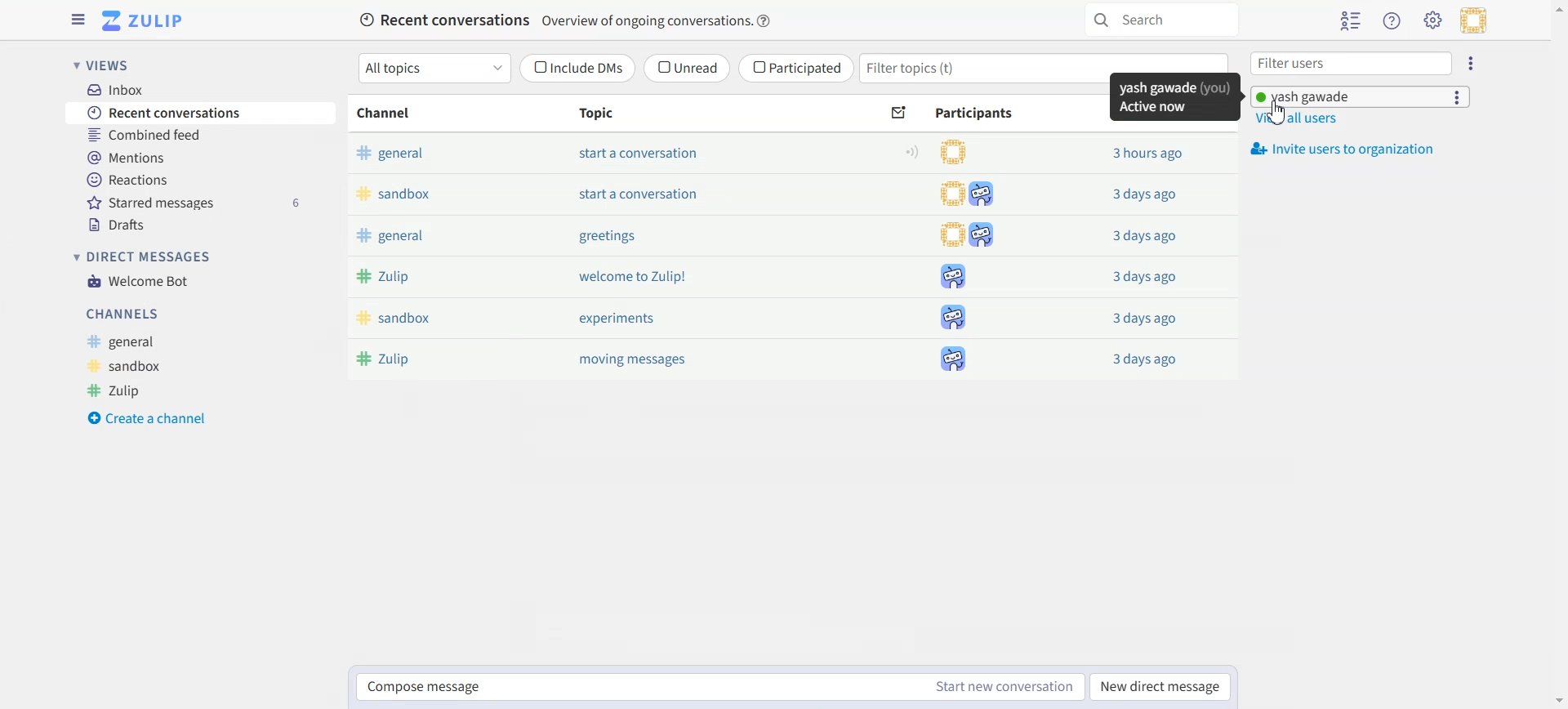 The width and height of the screenshot is (1568, 709). Describe the element at coordinates (193, 203) in the screenshot. I see `Starred messages` at that location.